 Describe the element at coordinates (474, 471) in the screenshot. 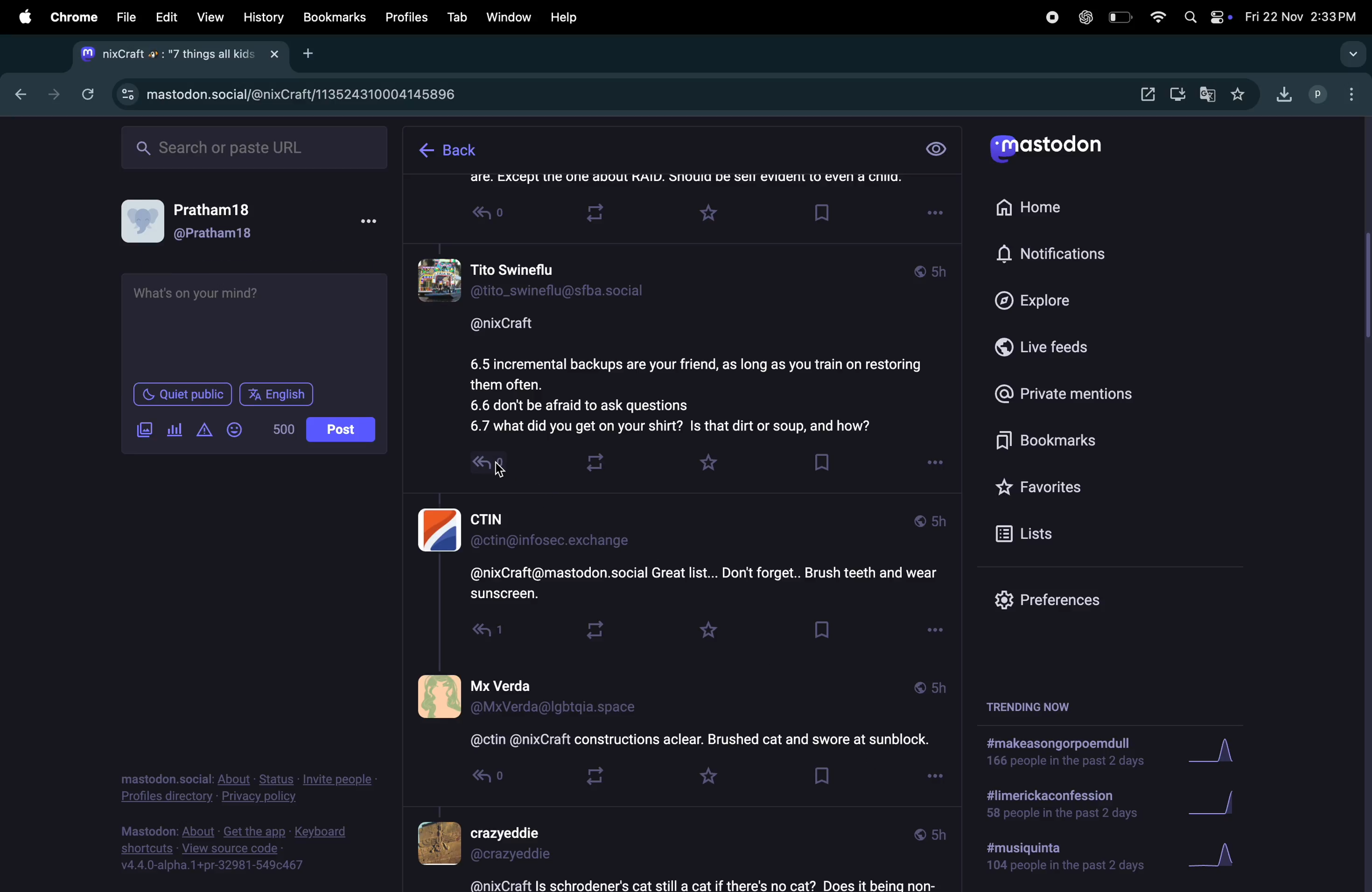

I see `read` at that location.